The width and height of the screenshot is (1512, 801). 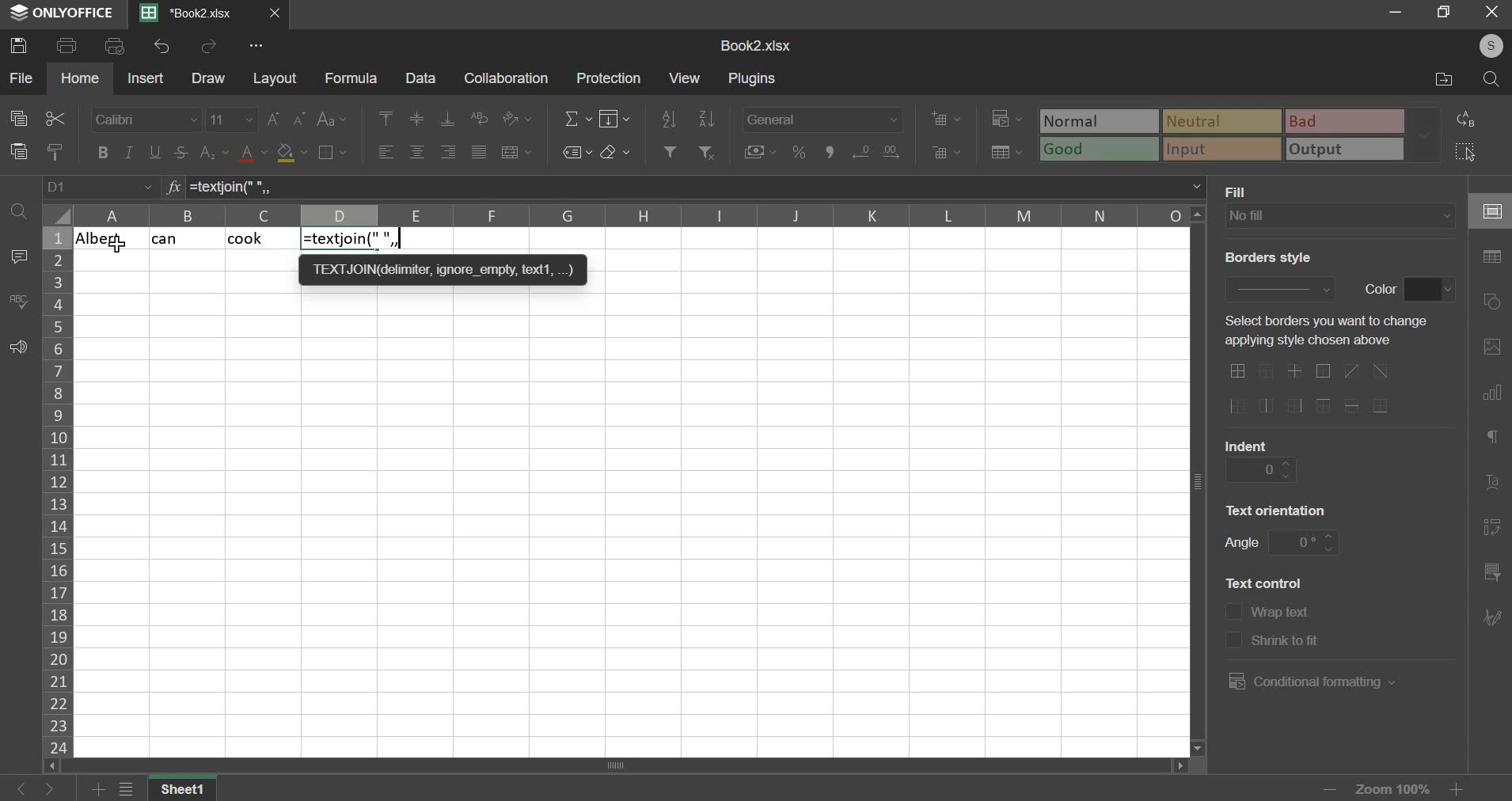 What do you see at coordinates (1320, 332) in the screenshot?
I see `text` at bounding box center [1320, 332].